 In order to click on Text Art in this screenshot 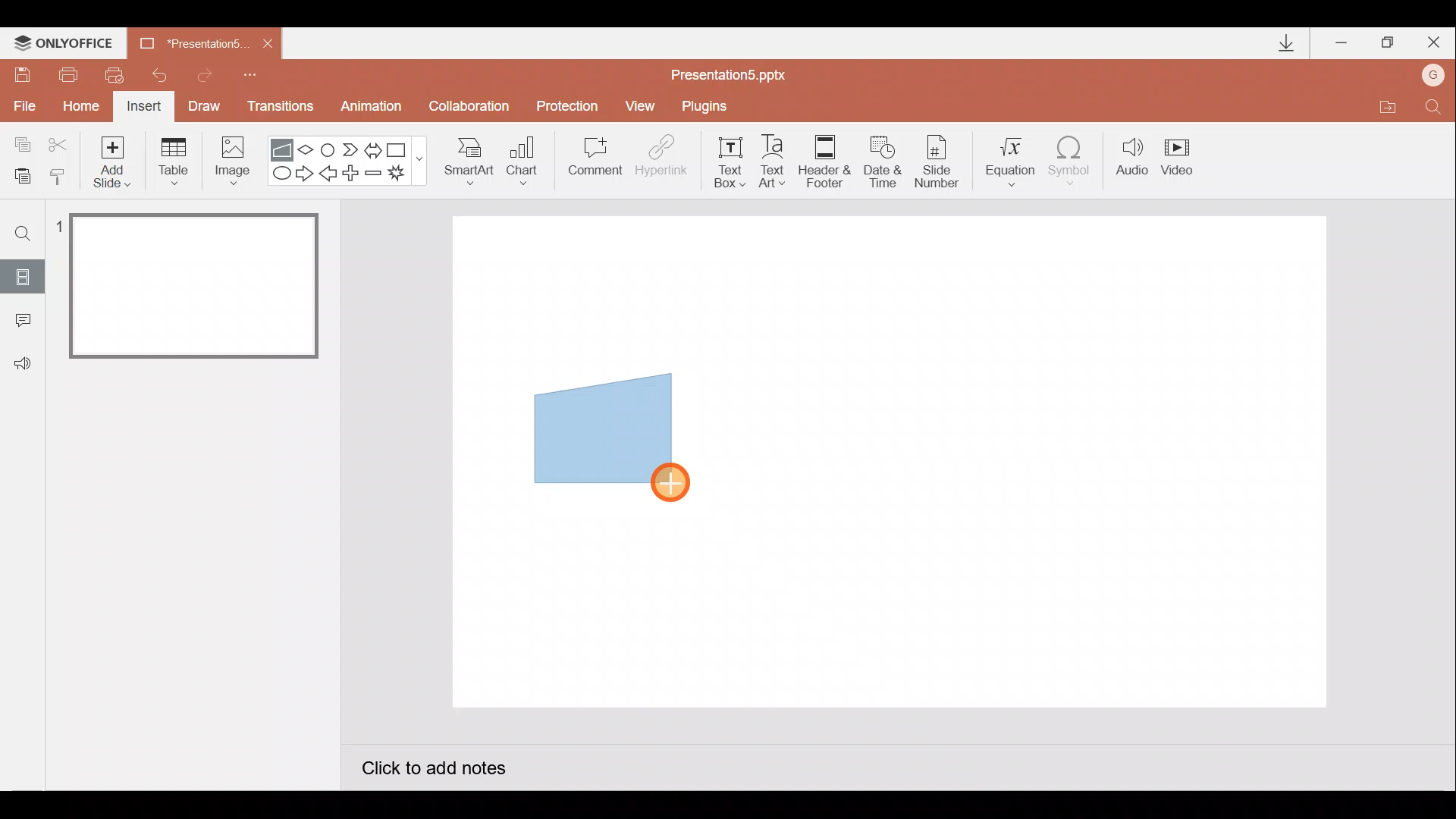, I will do `click(777, 161)`.